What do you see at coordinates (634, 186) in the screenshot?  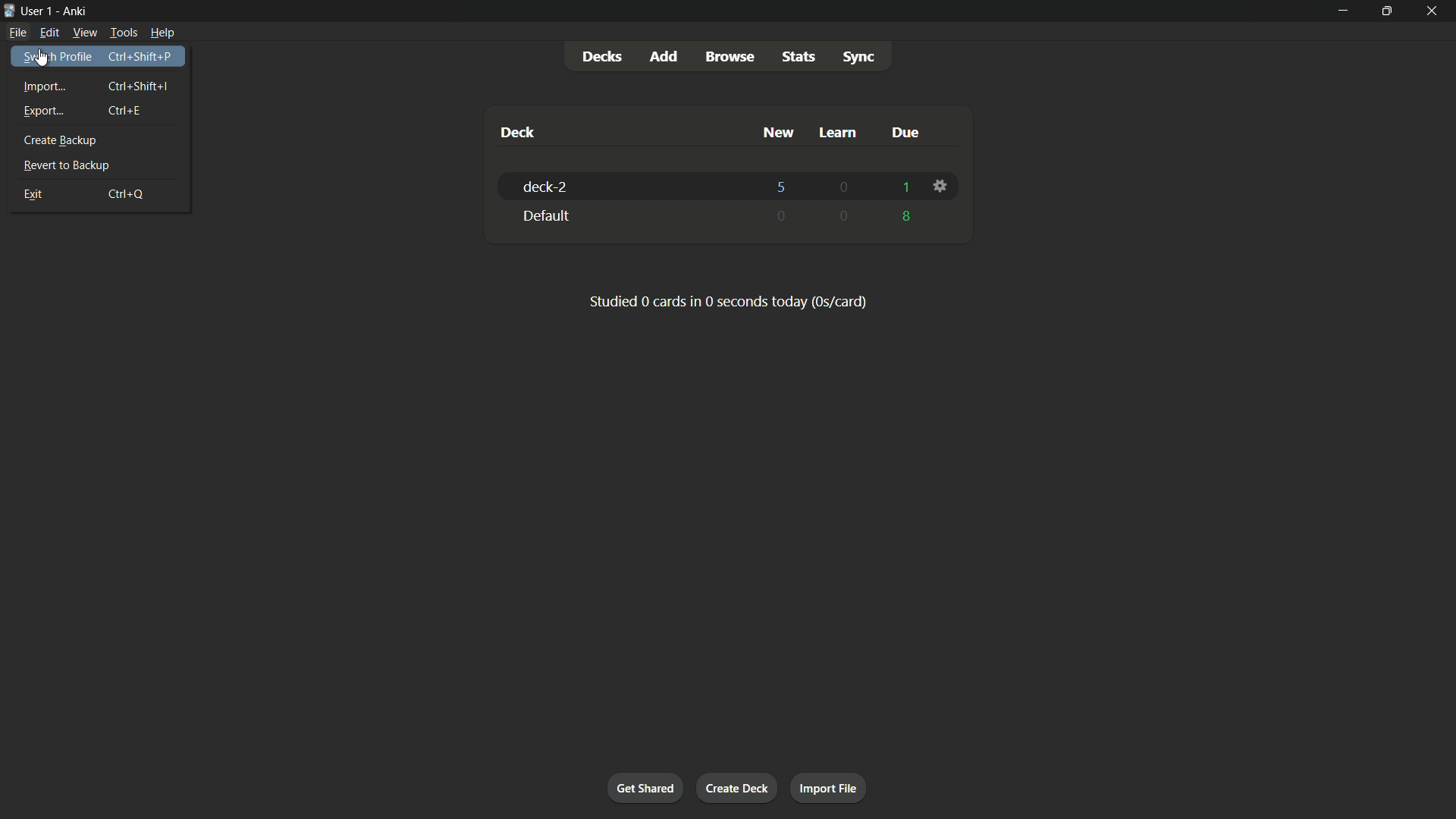 I see `Deck-2` at bounding box center [634, 186].